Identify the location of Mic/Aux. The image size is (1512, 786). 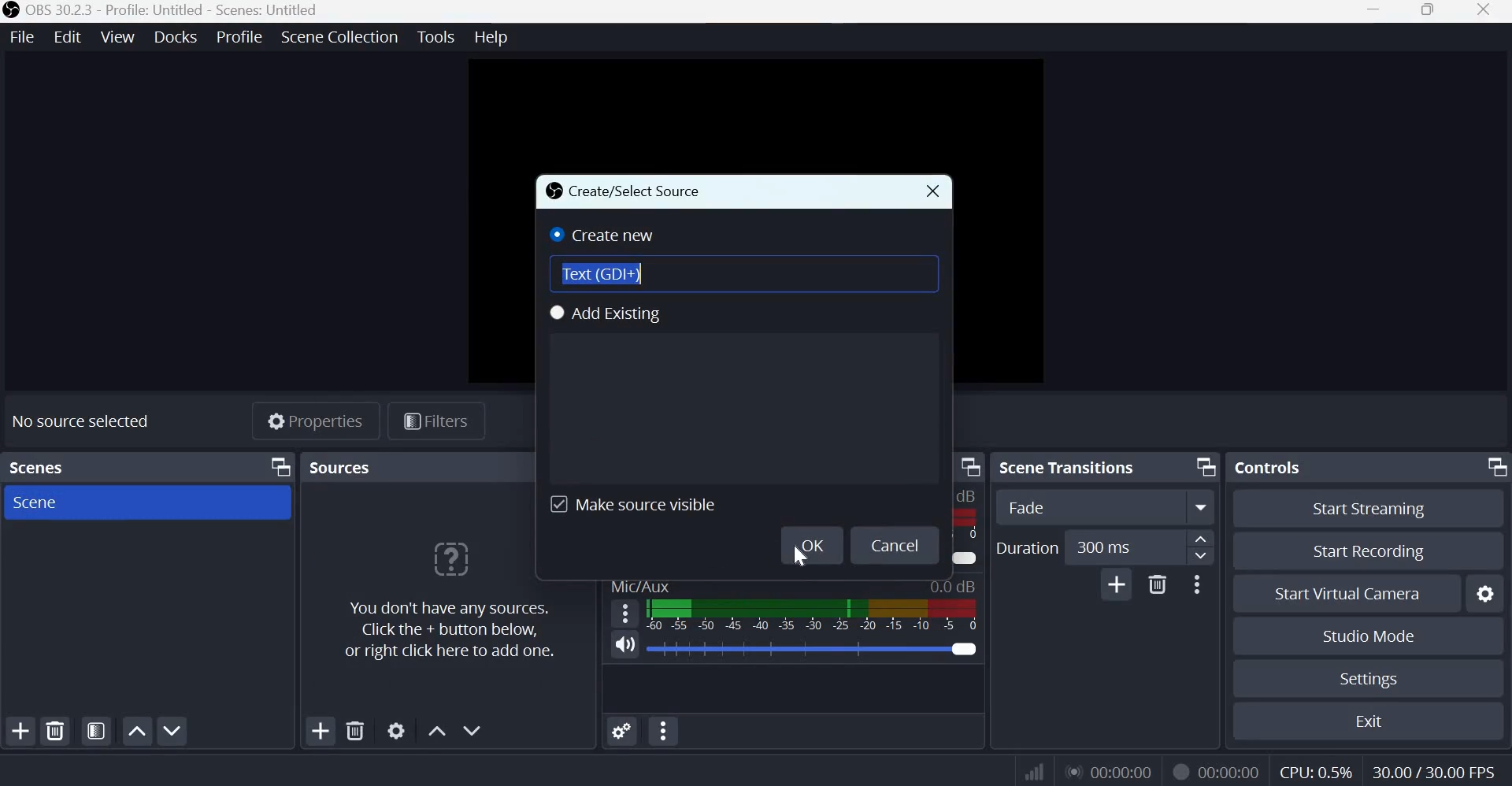
(642, 585).